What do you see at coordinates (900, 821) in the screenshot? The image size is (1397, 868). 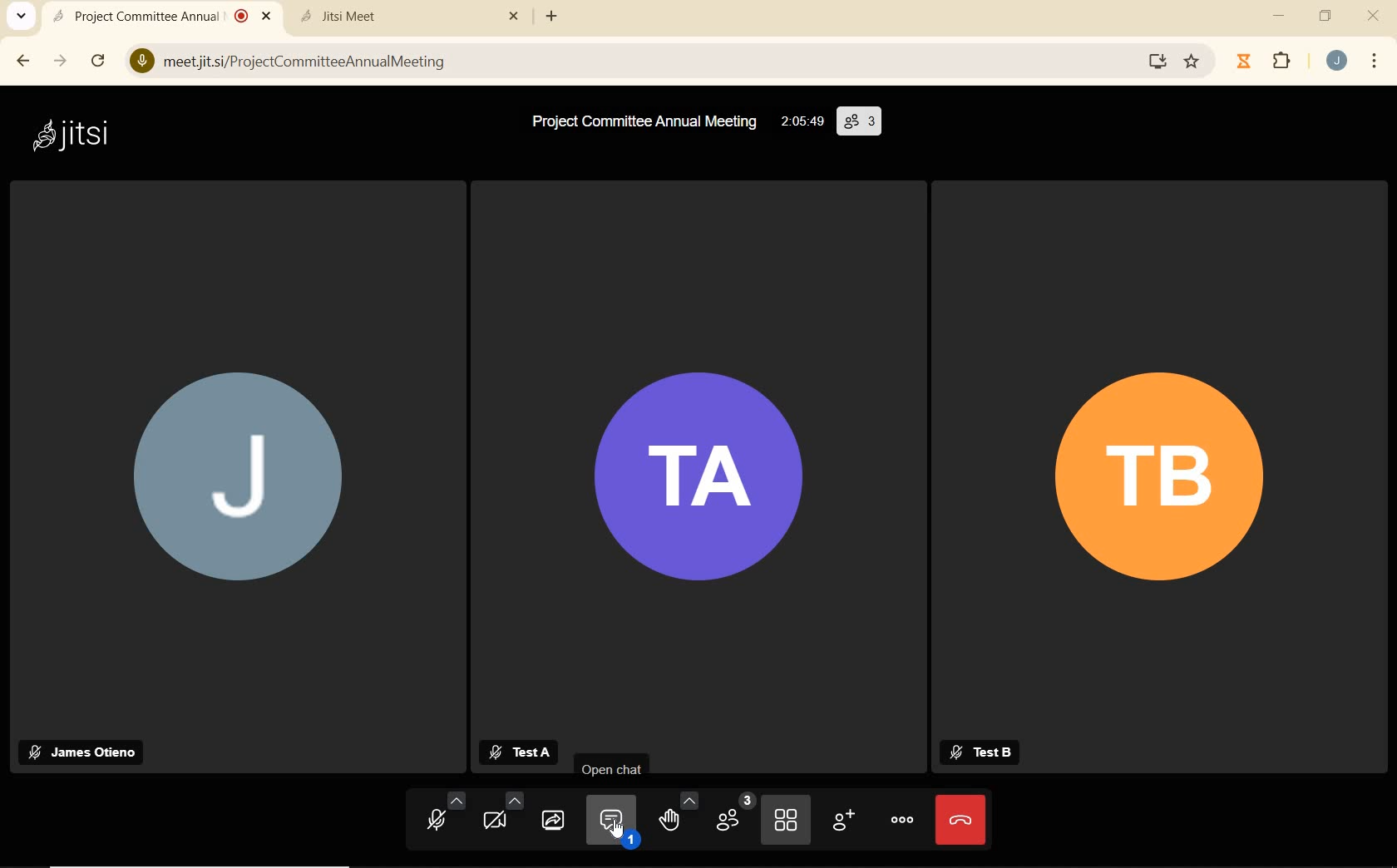 I see `more actions` at bounding box center [900, 821].